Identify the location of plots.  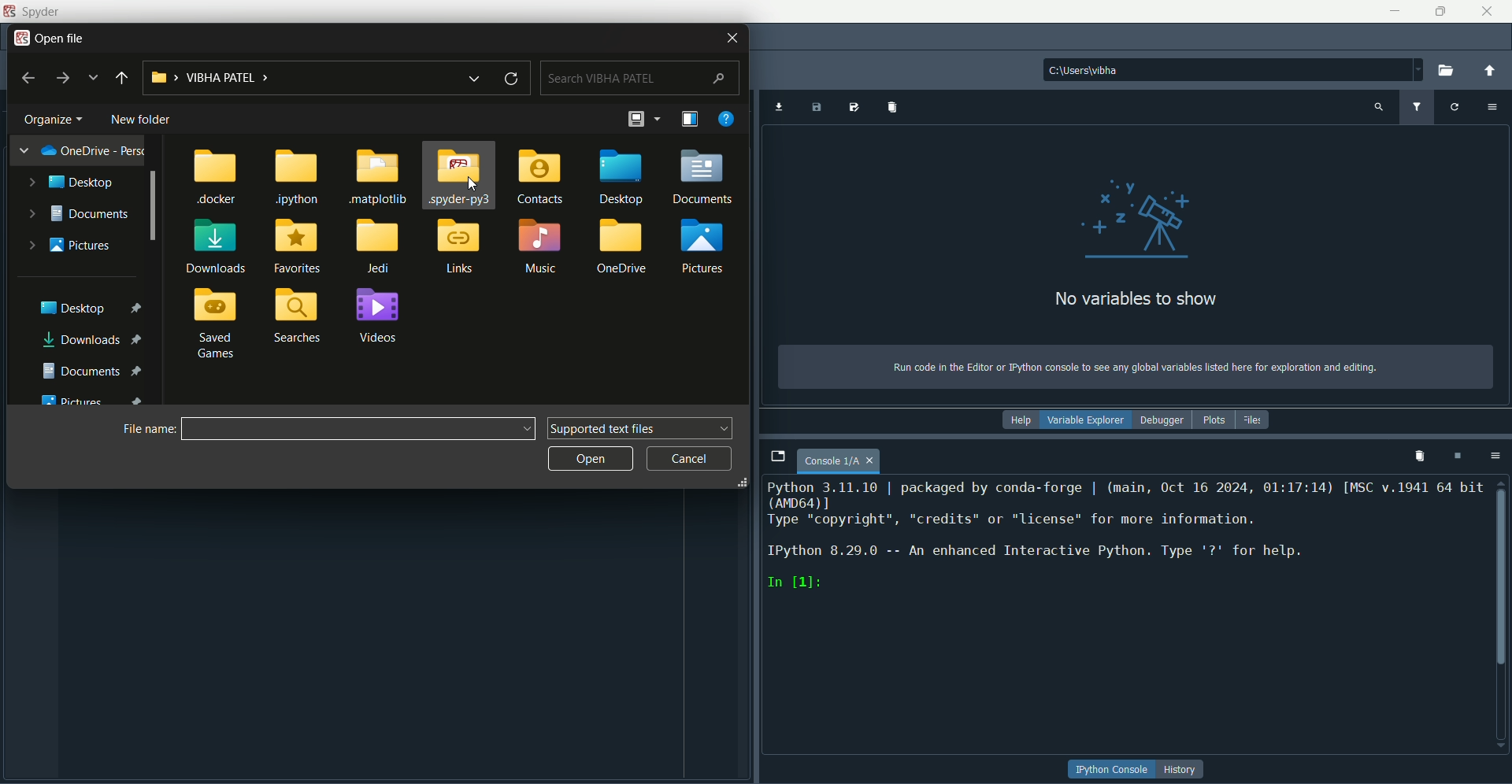
(1214, 421).